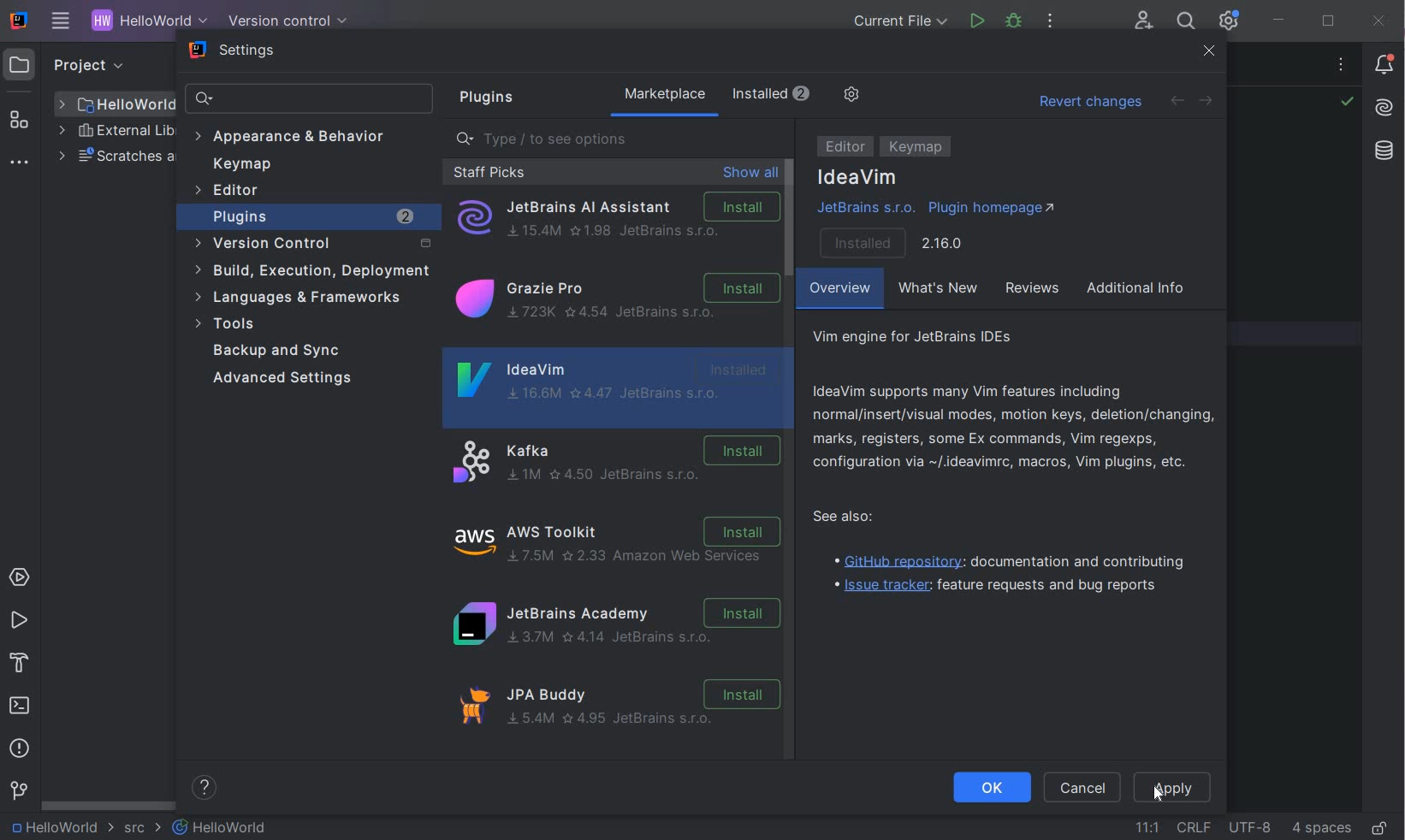 This screenshot has width=1405, height=840. Describe the element at coordinates (56, 22) in the screenshot. I see `MAIN MENU` at that location.